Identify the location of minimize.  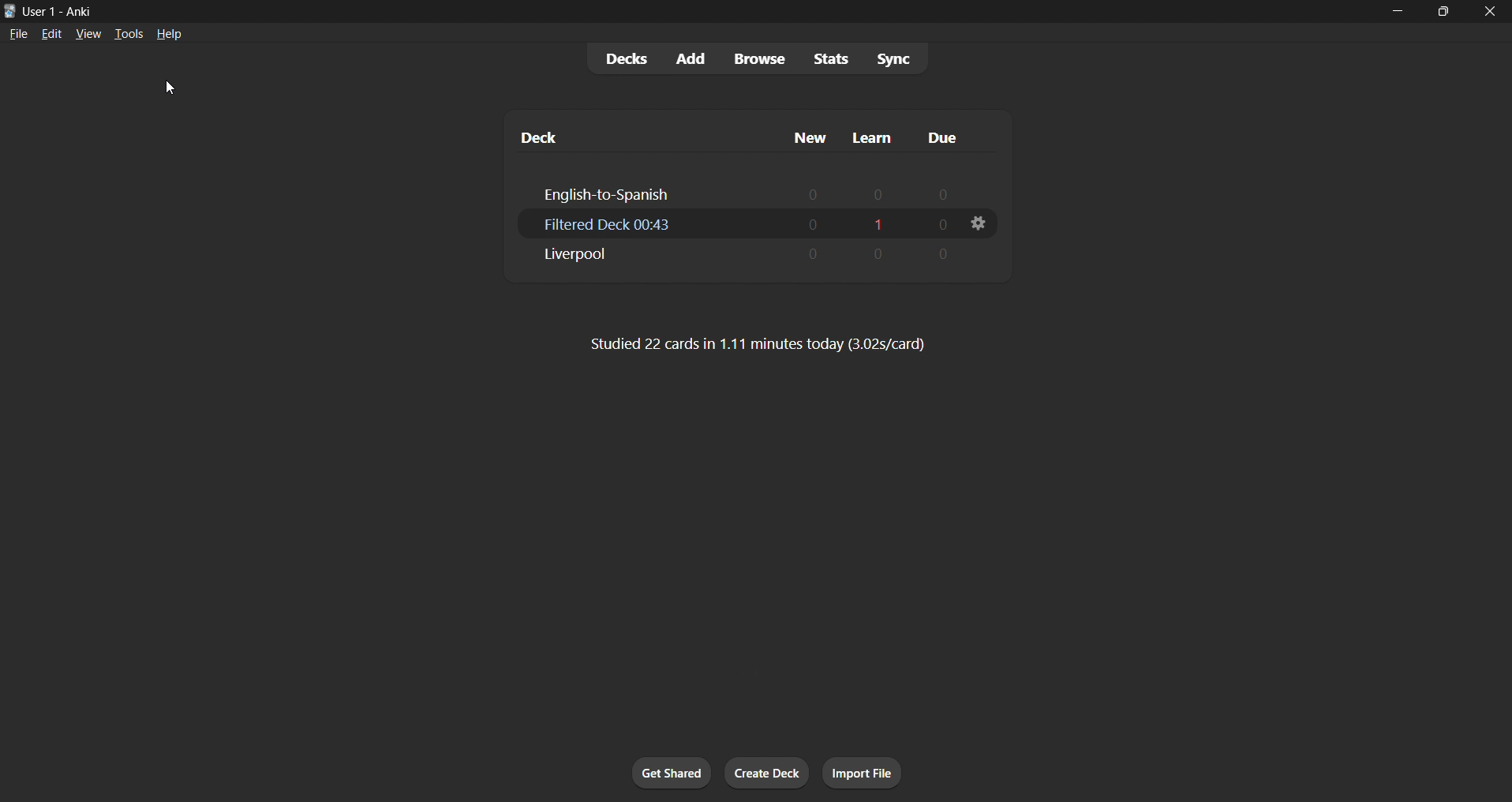
(1388, 12).